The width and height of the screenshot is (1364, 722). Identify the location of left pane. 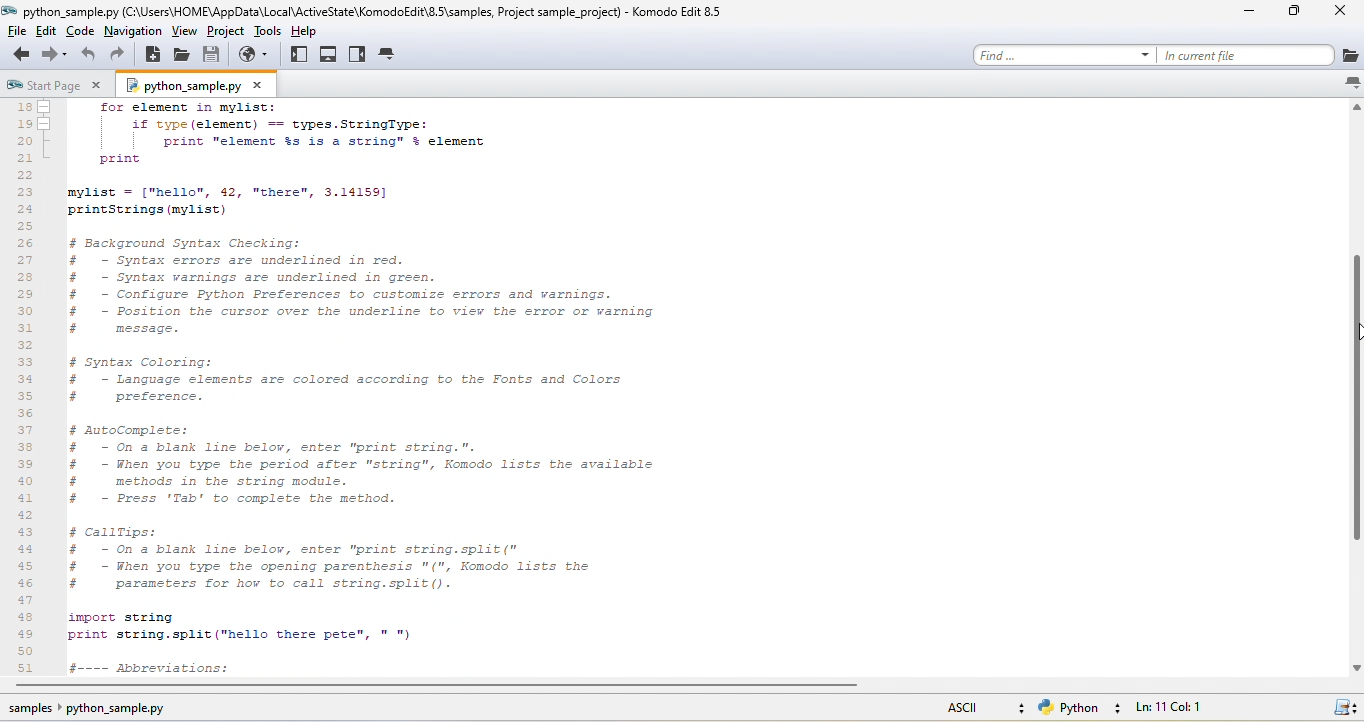
(300, 55).